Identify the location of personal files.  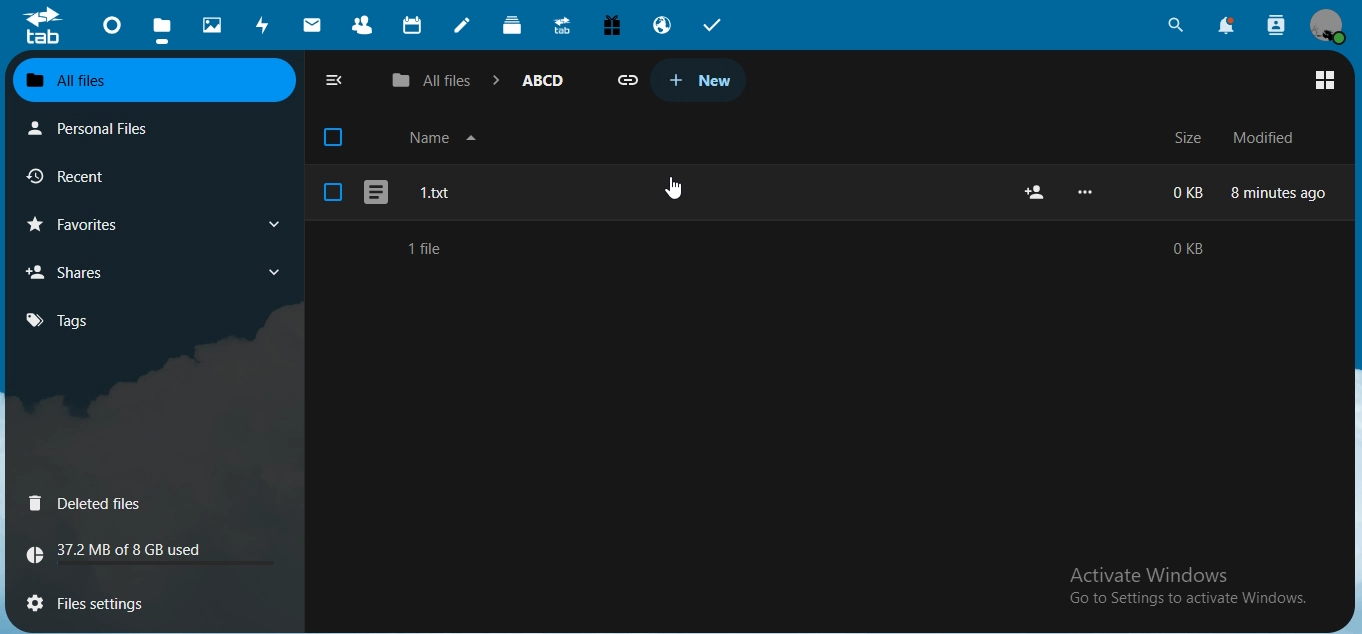
(98, 128).